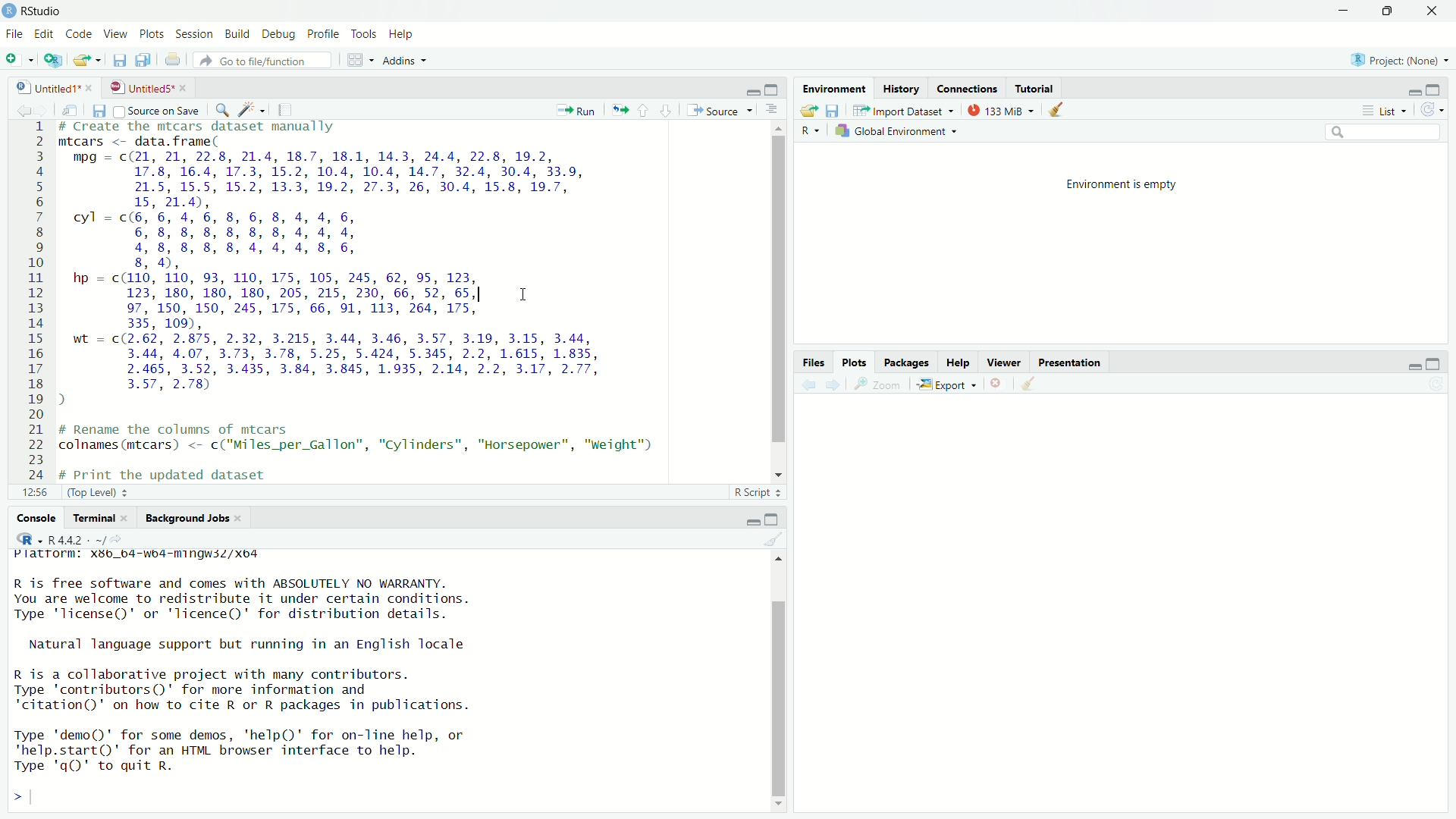  What do you see at coordinates (1436, 361) in the screenshot?
I see `maximise` at bounding box center [1436, 361].